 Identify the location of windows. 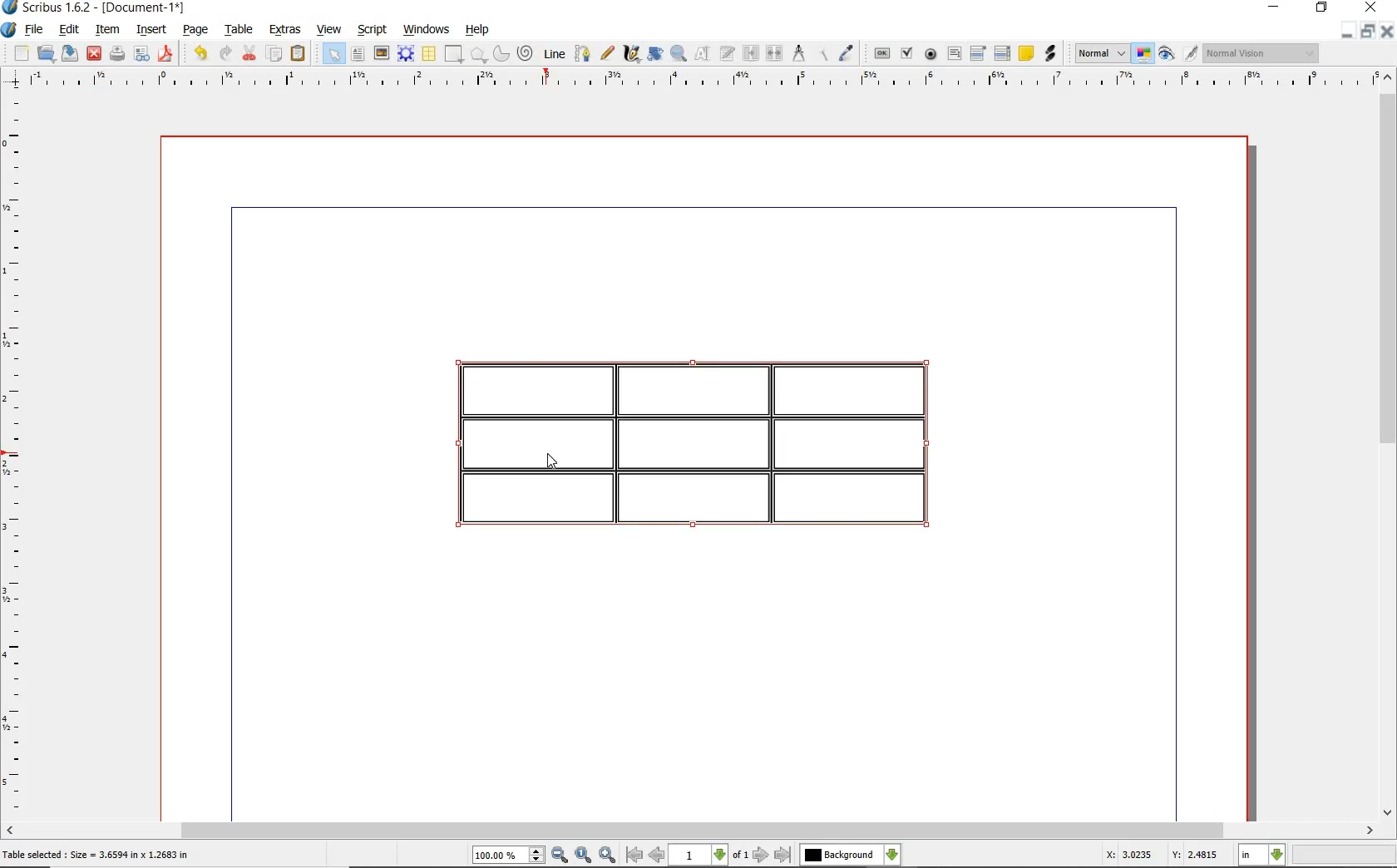
(427, 29).